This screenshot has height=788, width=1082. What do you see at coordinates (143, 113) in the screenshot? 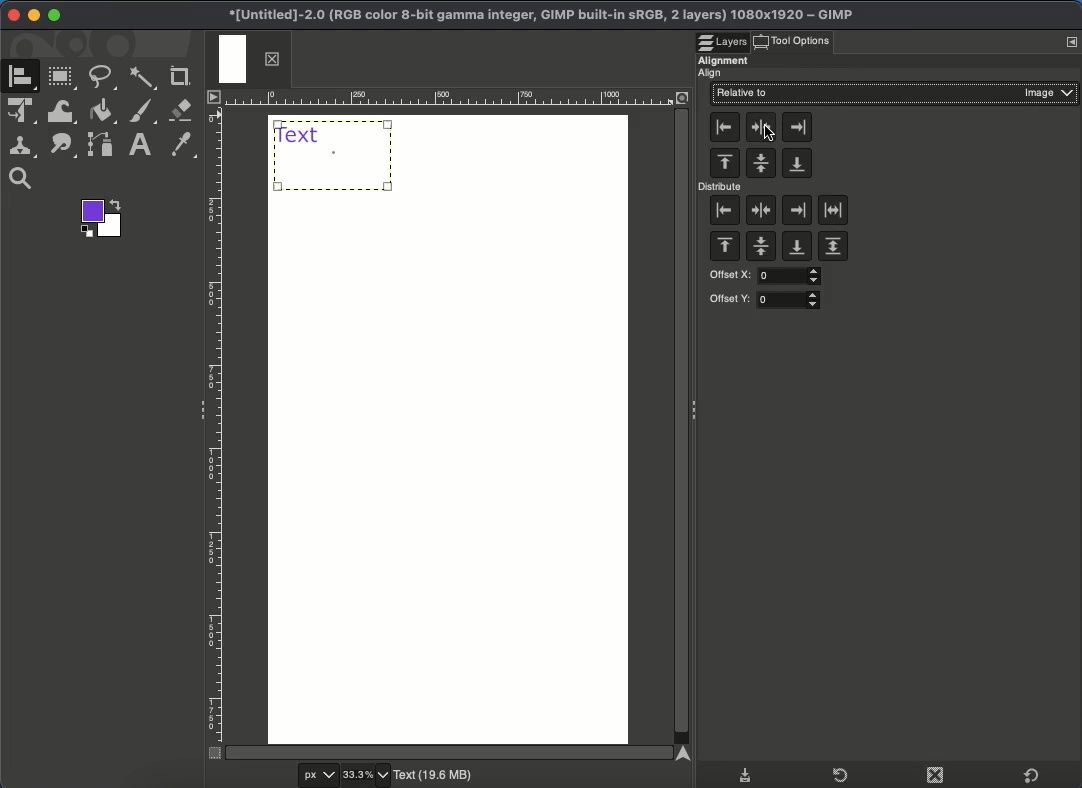
I see `Brush` at bounding box center [143, 113].